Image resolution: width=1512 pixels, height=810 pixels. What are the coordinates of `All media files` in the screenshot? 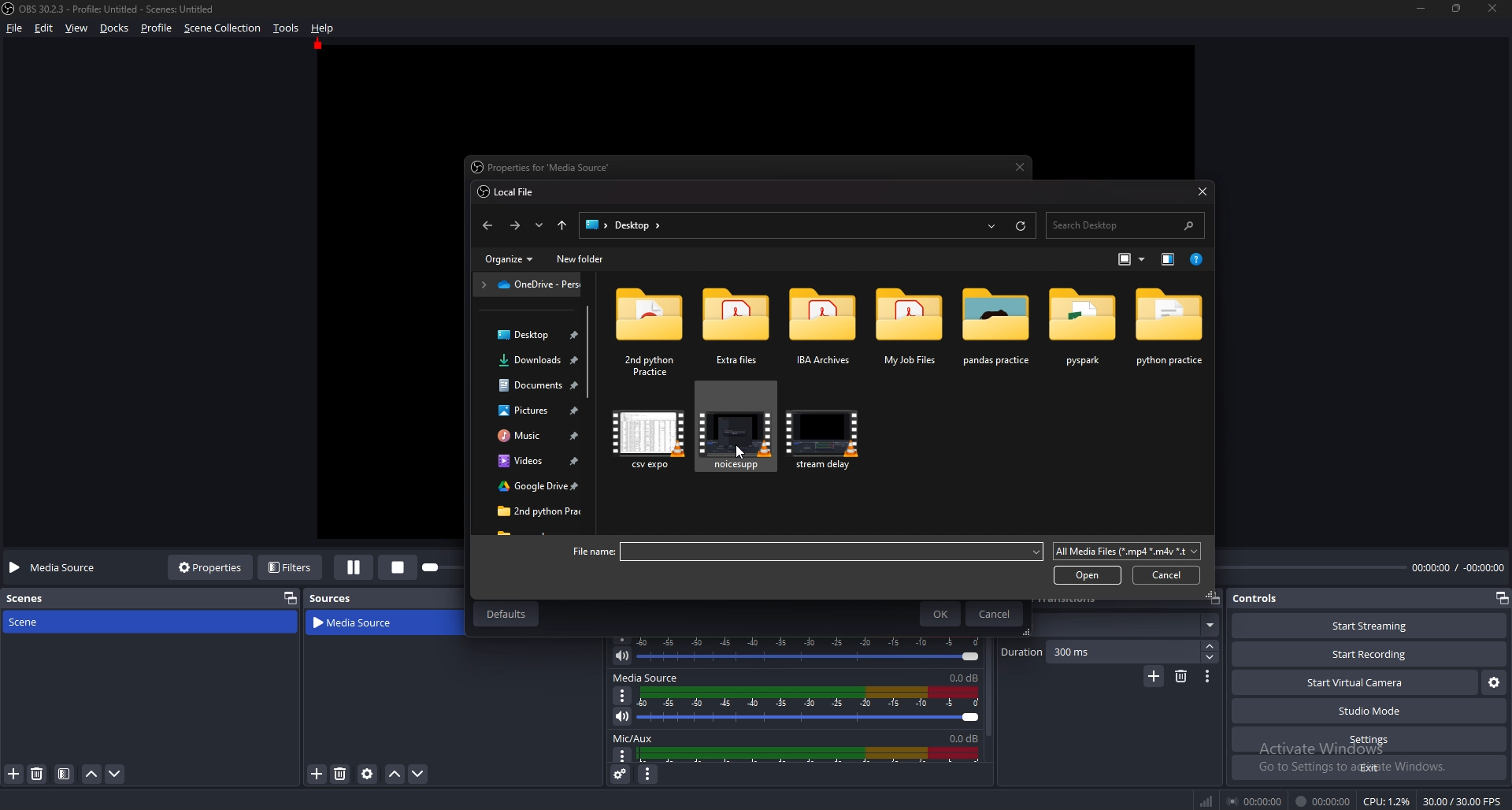 It's located at (1127, 551).